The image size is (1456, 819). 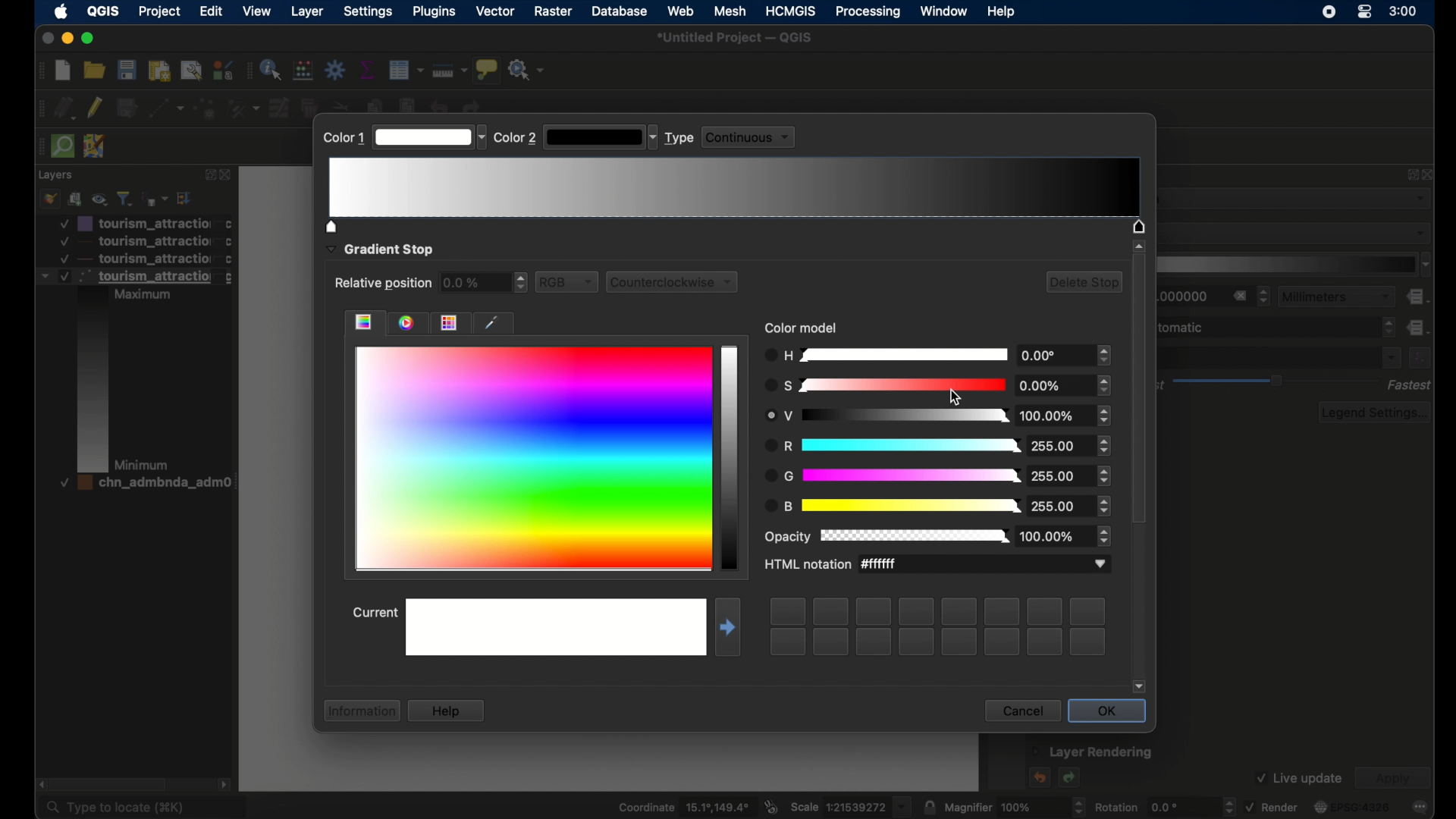 I want to click on Color sliders, so click(x=736, y=194).